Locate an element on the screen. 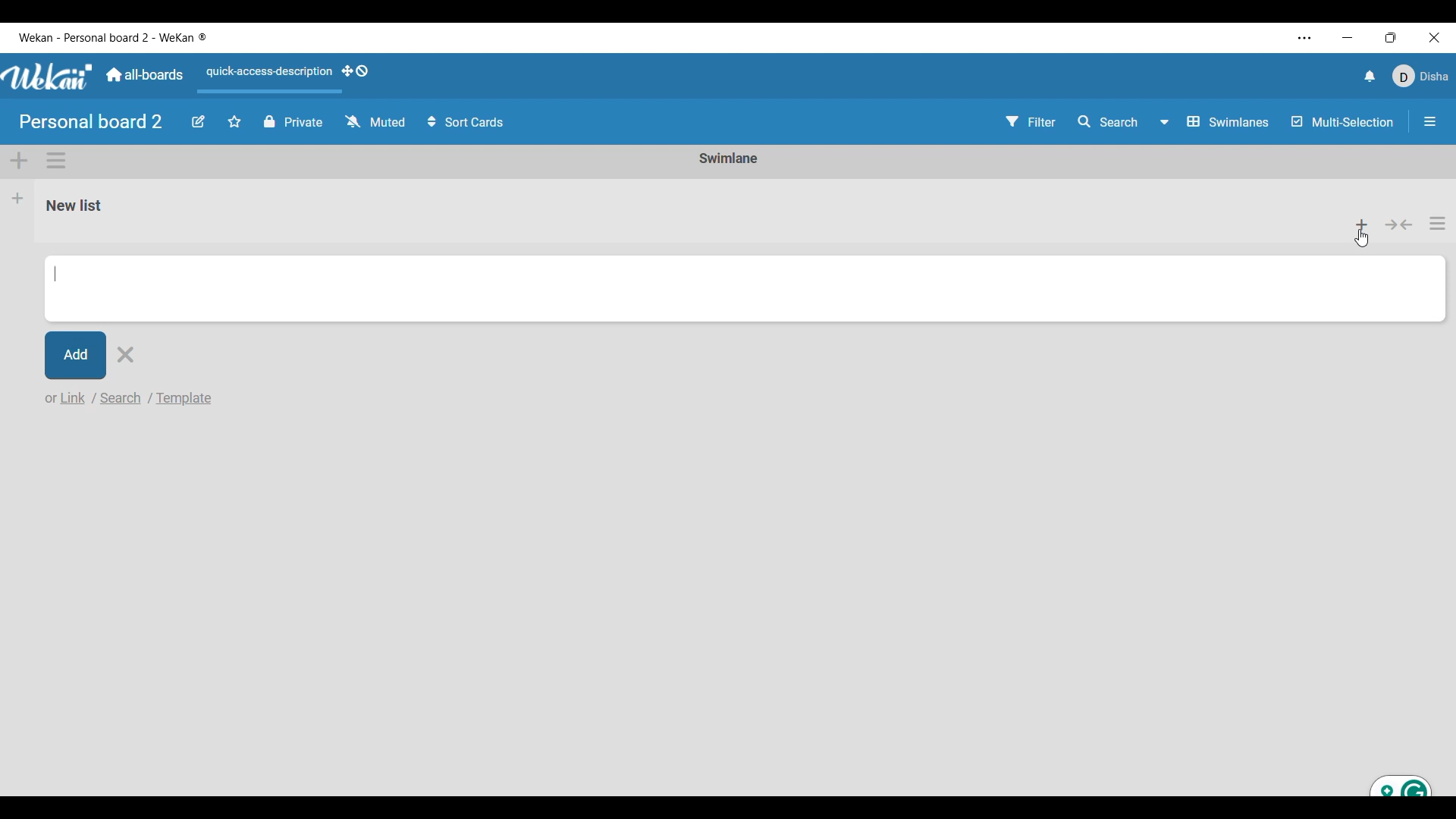 This screenshot has height=819, width=1456. Add card to top of list is located at coordinates (1365, 223).